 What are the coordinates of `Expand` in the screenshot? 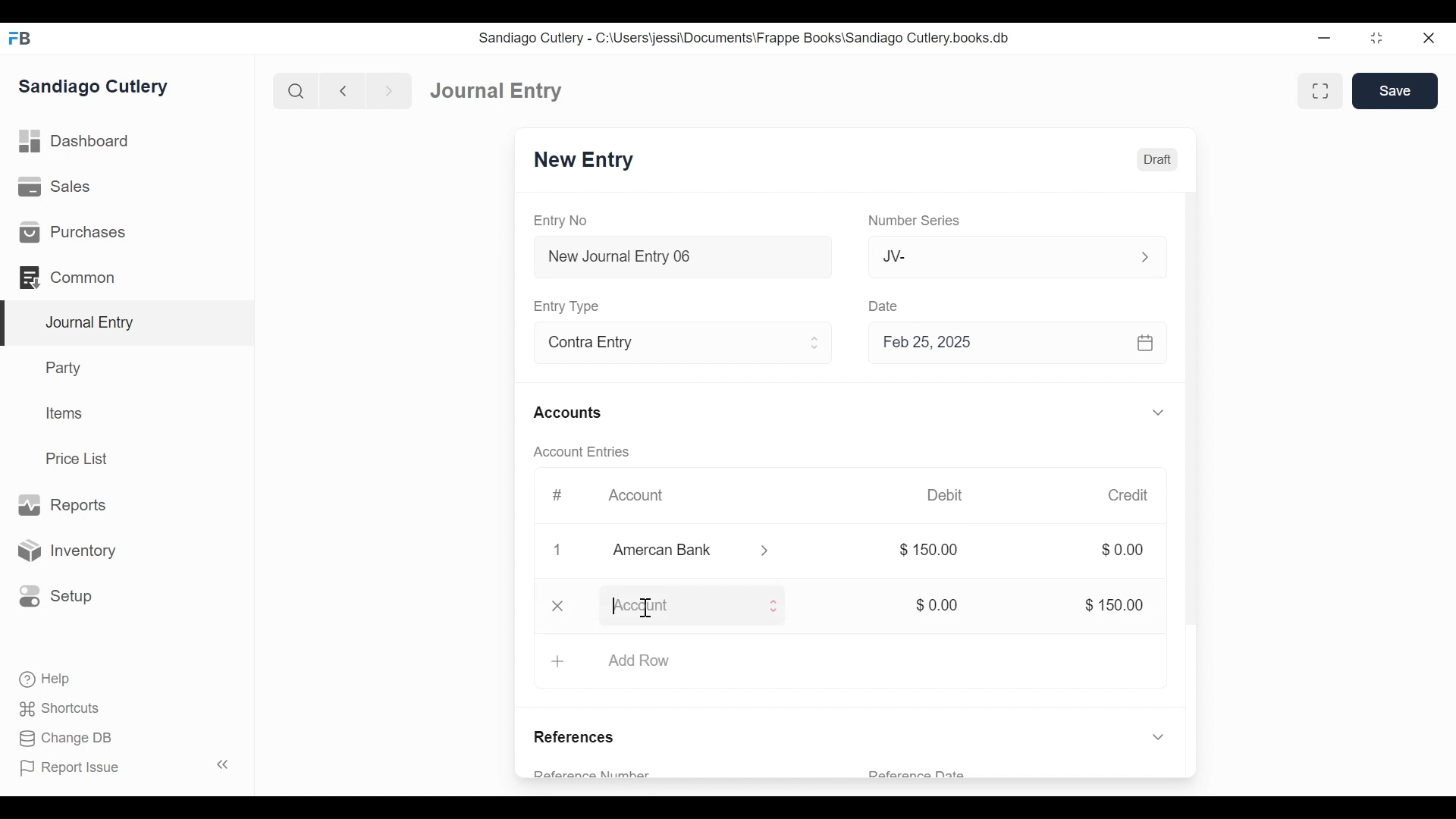 It's located at (773, 608).